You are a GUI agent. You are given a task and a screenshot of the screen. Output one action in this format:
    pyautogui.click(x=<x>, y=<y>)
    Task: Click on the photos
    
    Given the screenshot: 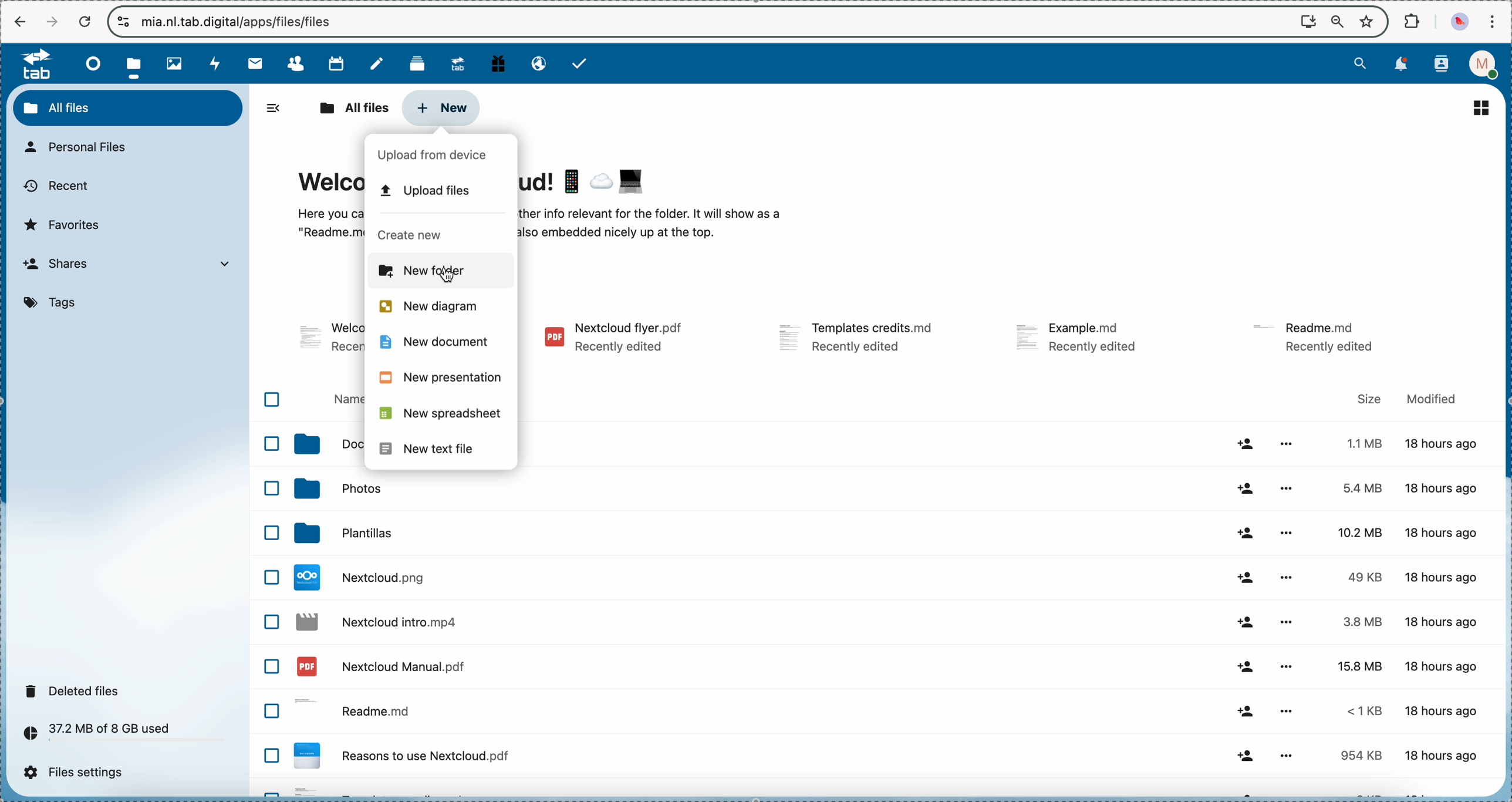 What is the action you would take?
    pyautogui.click(x=752, y=488)
    